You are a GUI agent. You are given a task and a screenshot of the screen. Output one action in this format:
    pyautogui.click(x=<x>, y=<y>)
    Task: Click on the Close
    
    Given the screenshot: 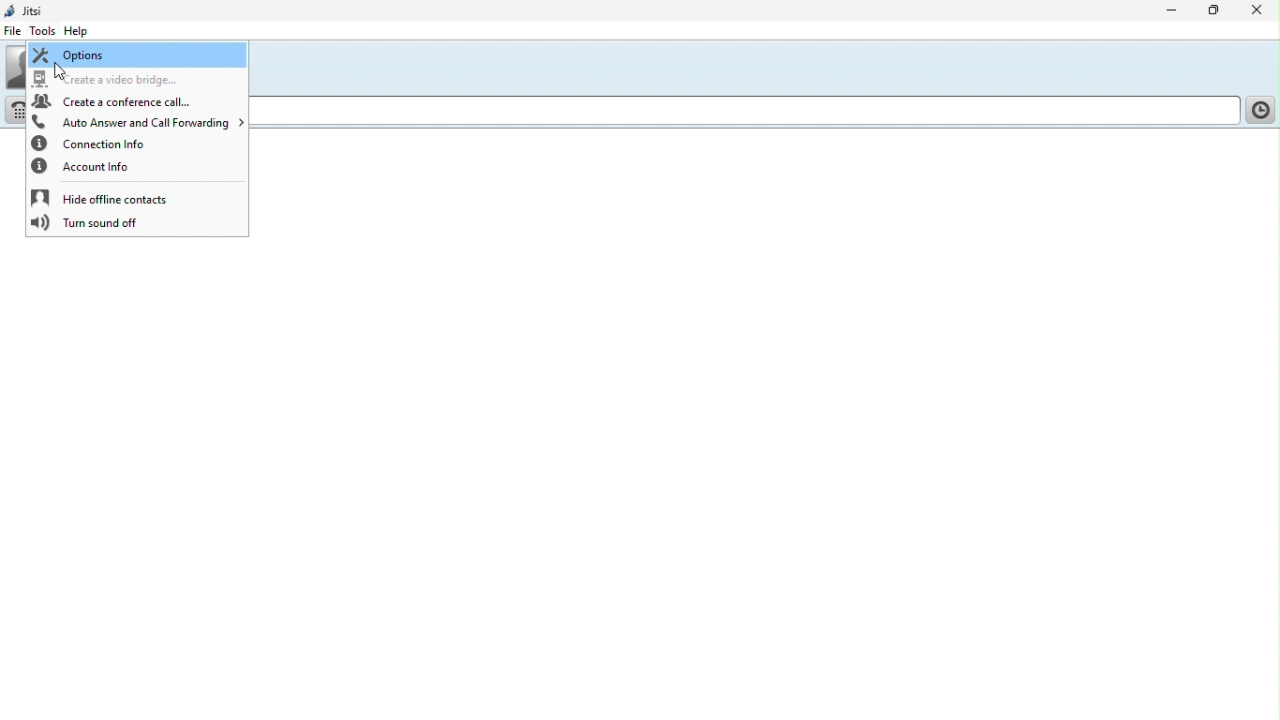 What is the action you would take?
    pyautogui.click(x=1257, y=11)
    